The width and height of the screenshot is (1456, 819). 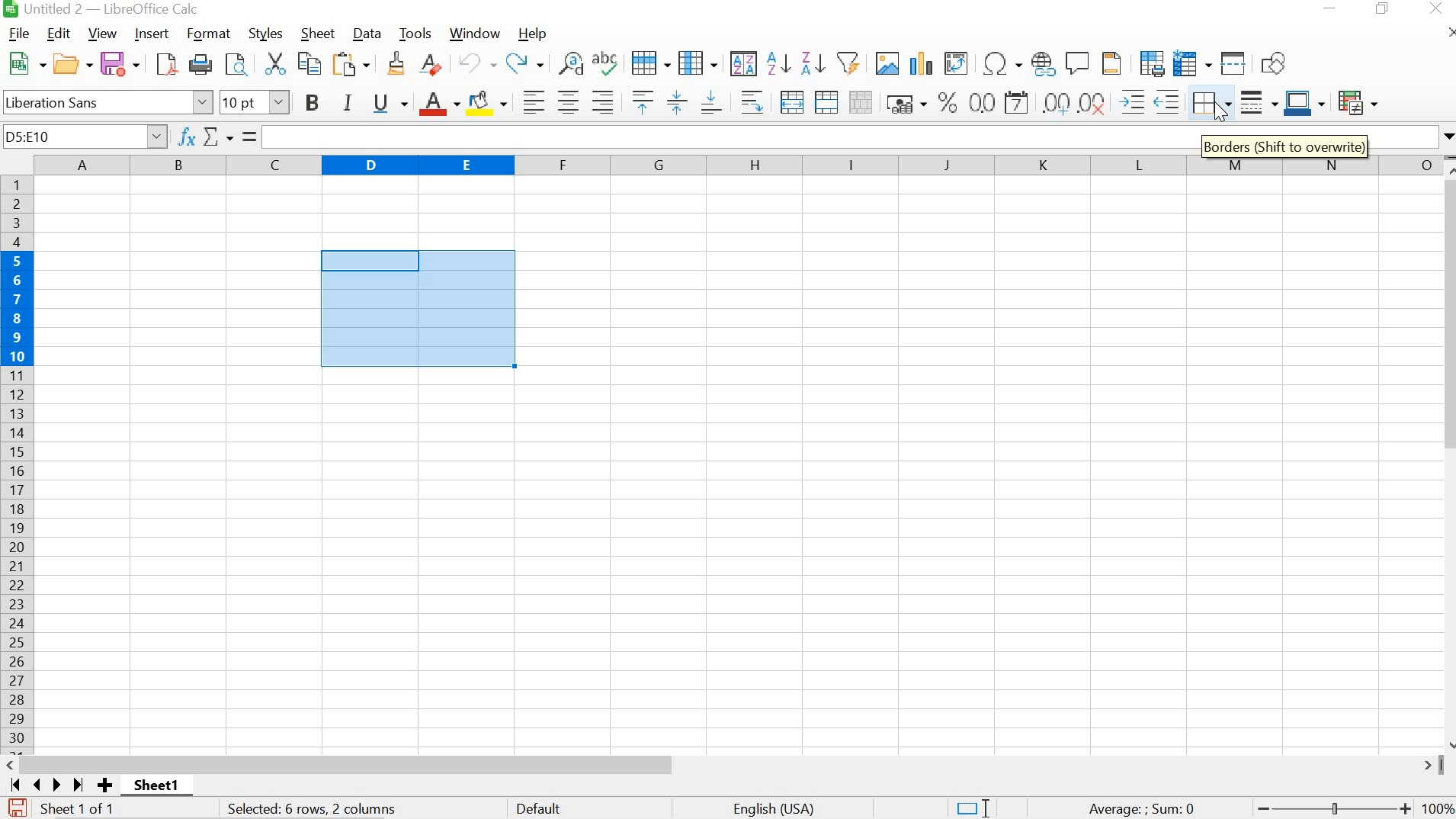 I want to click on BORDER COLOR, so click(x=1304, y=101).